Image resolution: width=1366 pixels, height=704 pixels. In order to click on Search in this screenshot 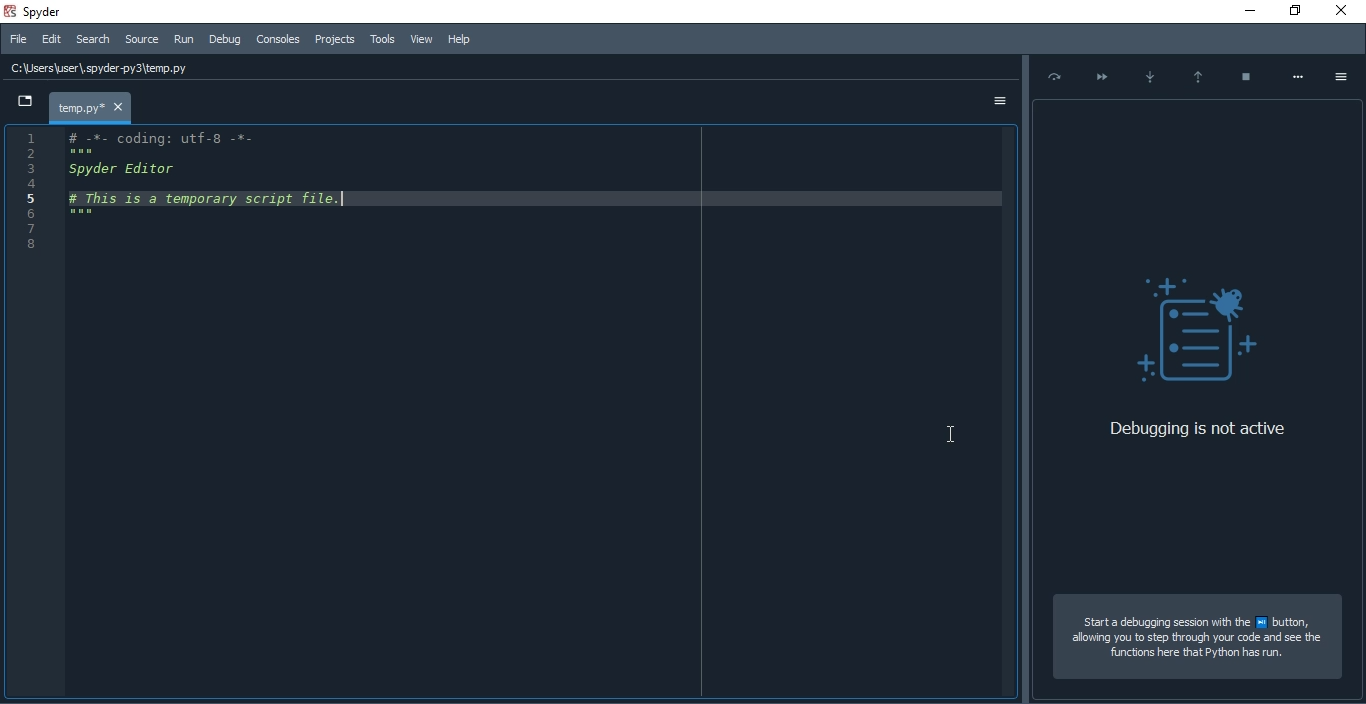, I will do `click(91, 40)`.